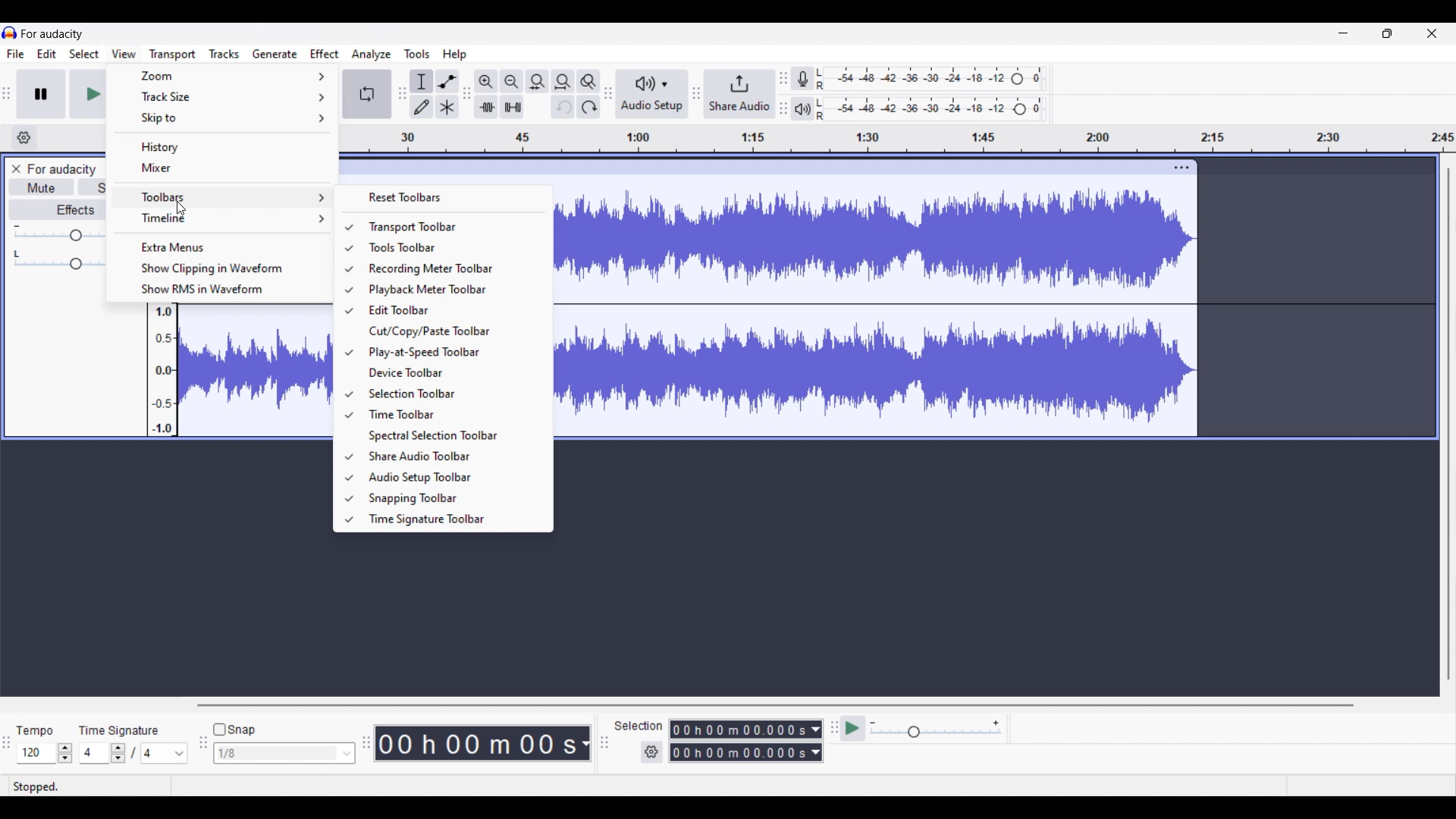 The image size is (1456, 819). Describe the element at coordinates (349, 374) in the screenshot. I see `Check indicates toolbar is included` at that location.